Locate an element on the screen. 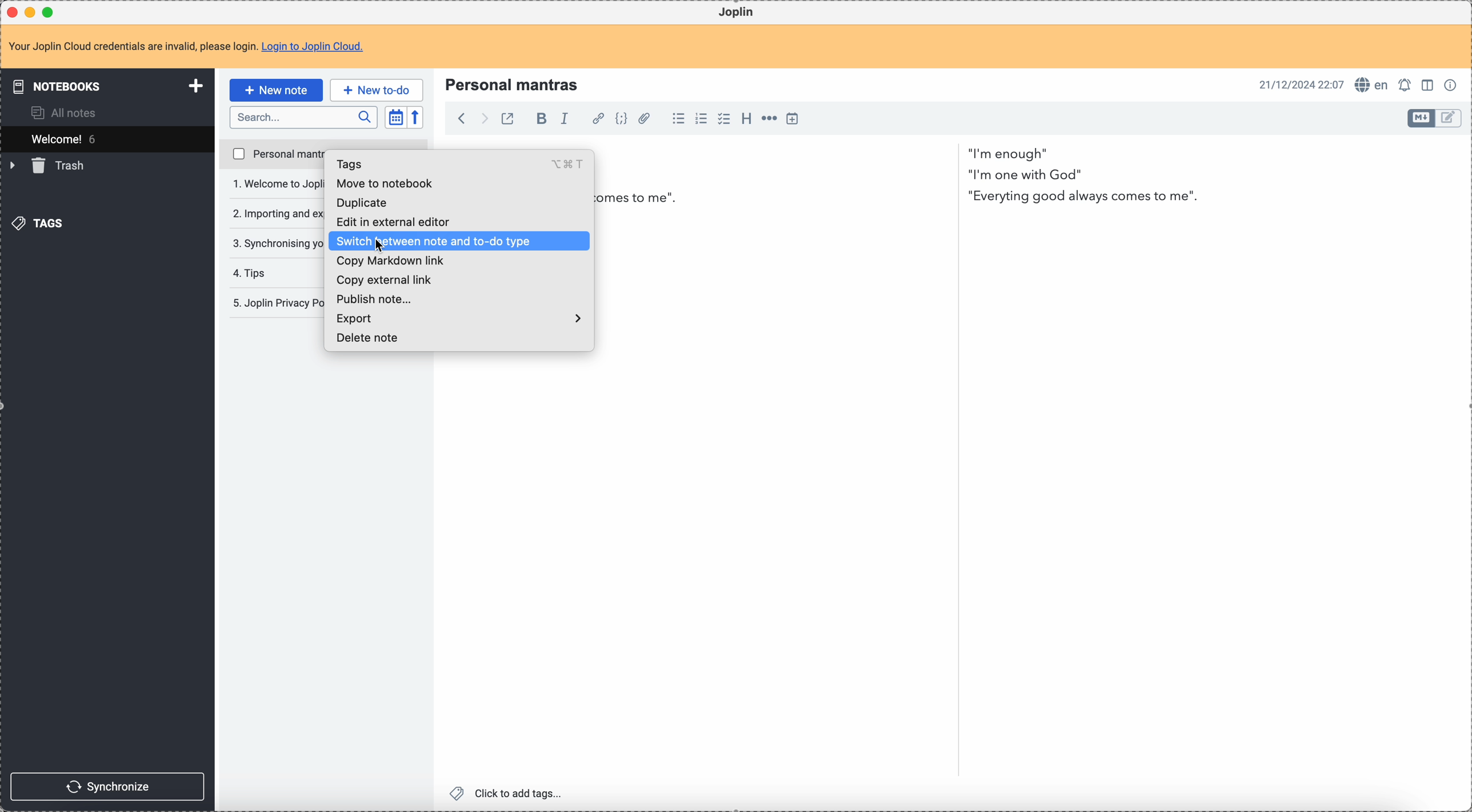 This screenshot has height=812, width=1472. Joplin privacy policy is located at coordinates (275, 303).